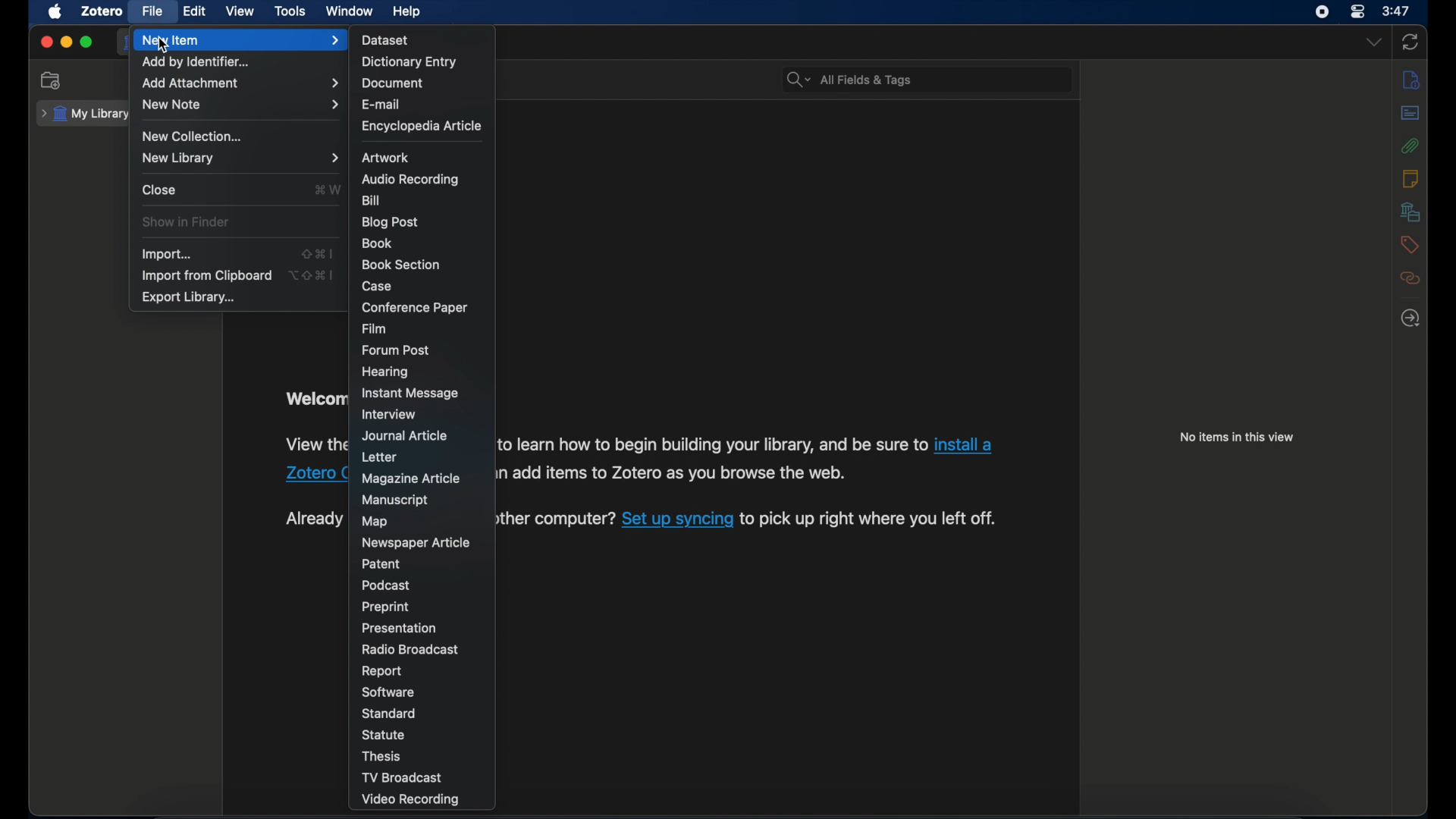 This screenshot has height=819, width=1456. Describe the element at coordinates (1411, 42) in the screenshot. I see `sync` at that location.